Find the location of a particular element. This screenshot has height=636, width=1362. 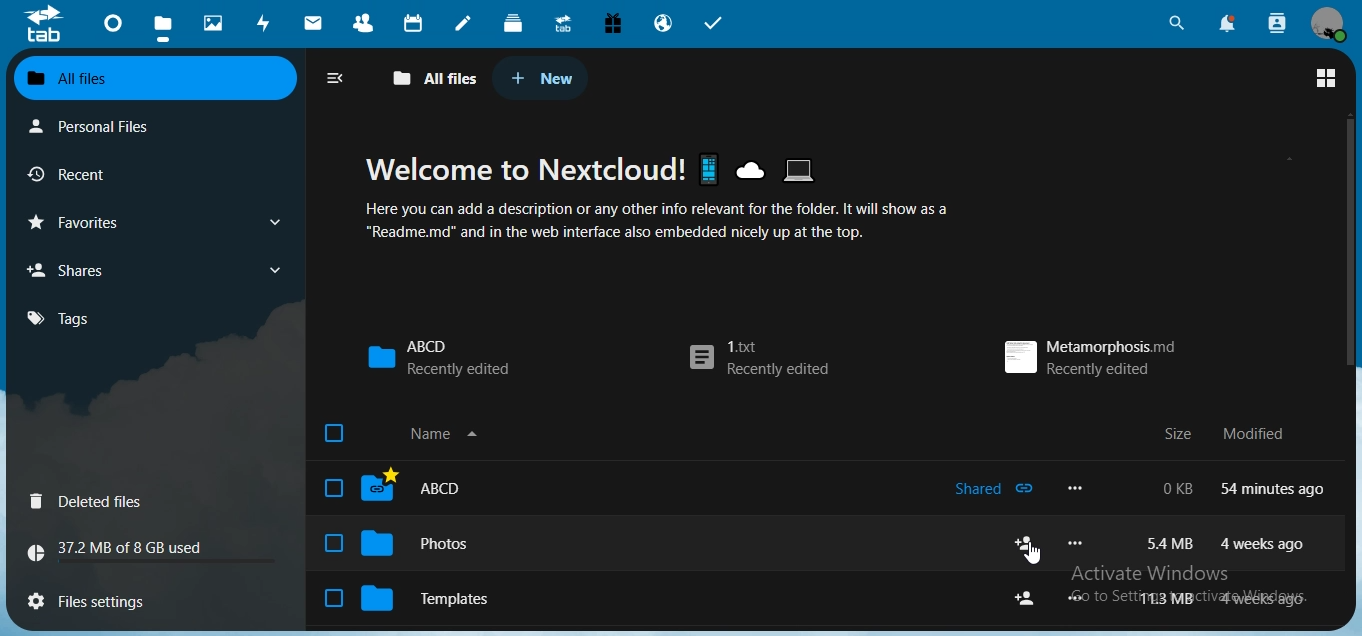

dashboard is located at coordinates (115, 29).